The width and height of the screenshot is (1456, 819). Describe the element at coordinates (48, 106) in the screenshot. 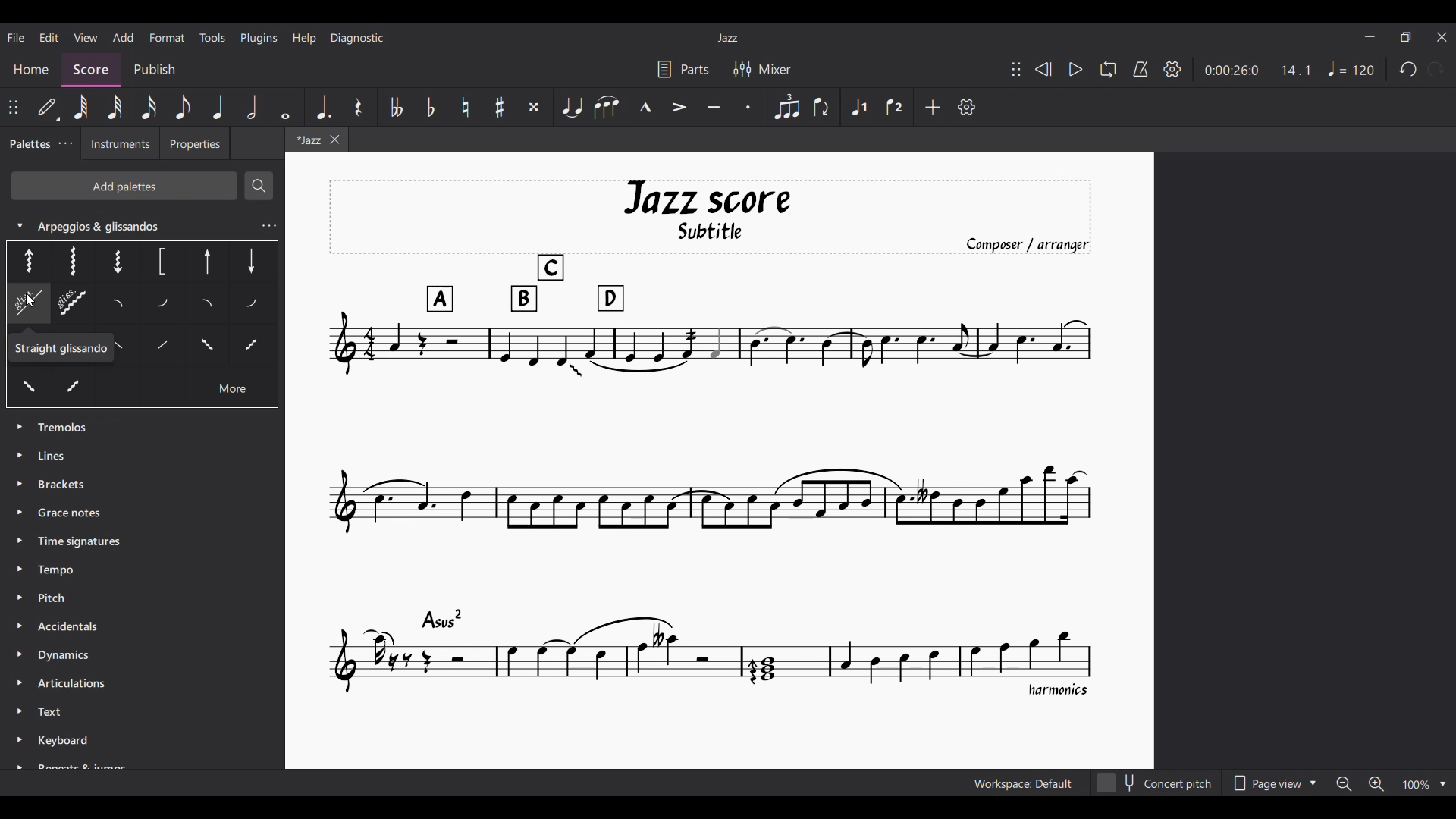

I see `Default` at that location.